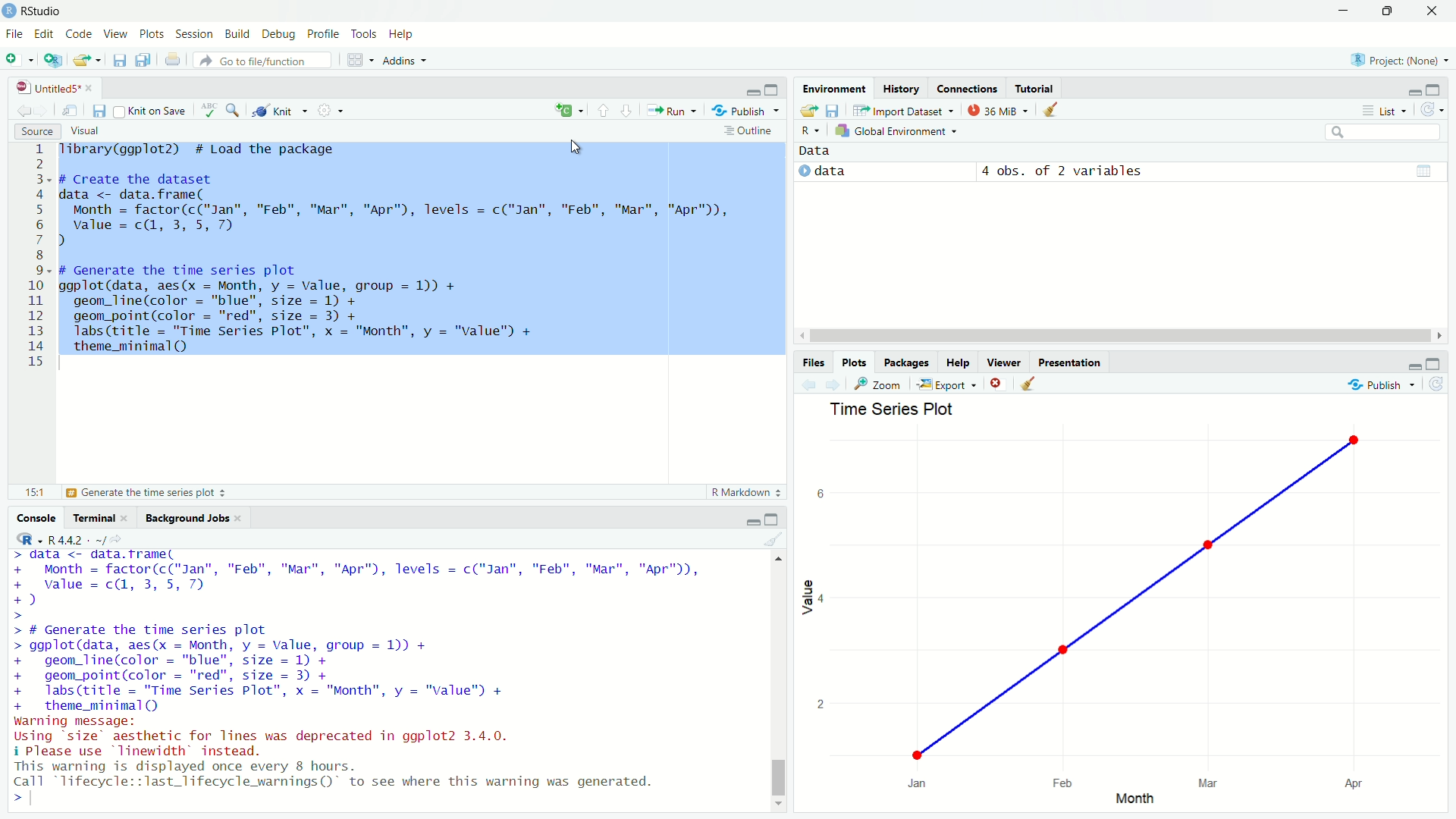  What do you see at coordinates (1413, 89) in the screenshot?
I see `minimize` at bounding box center [1413, 89].